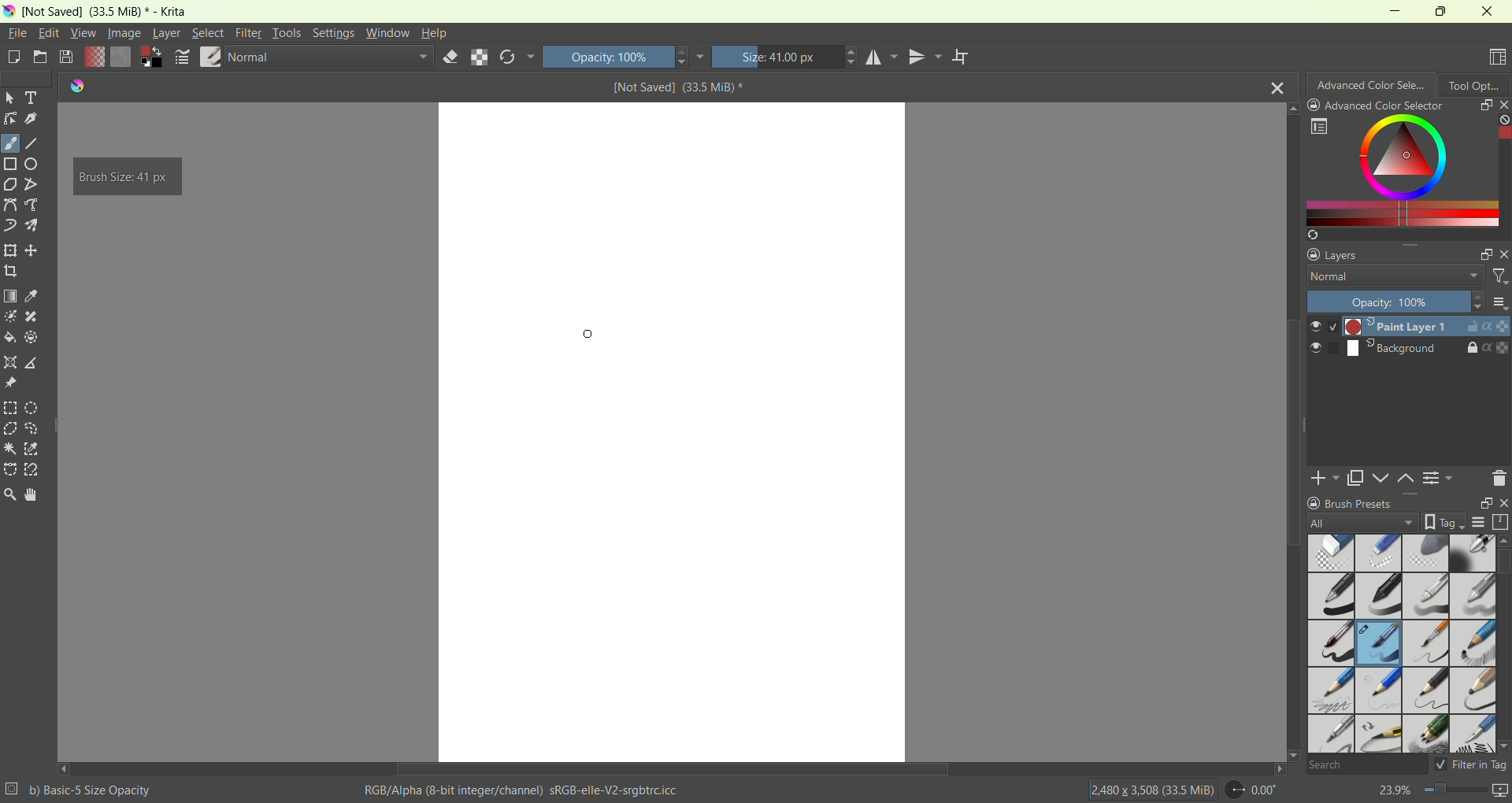  Describe the element at coordinates (9, 251) in the screenshot. I see `transform` at that location.